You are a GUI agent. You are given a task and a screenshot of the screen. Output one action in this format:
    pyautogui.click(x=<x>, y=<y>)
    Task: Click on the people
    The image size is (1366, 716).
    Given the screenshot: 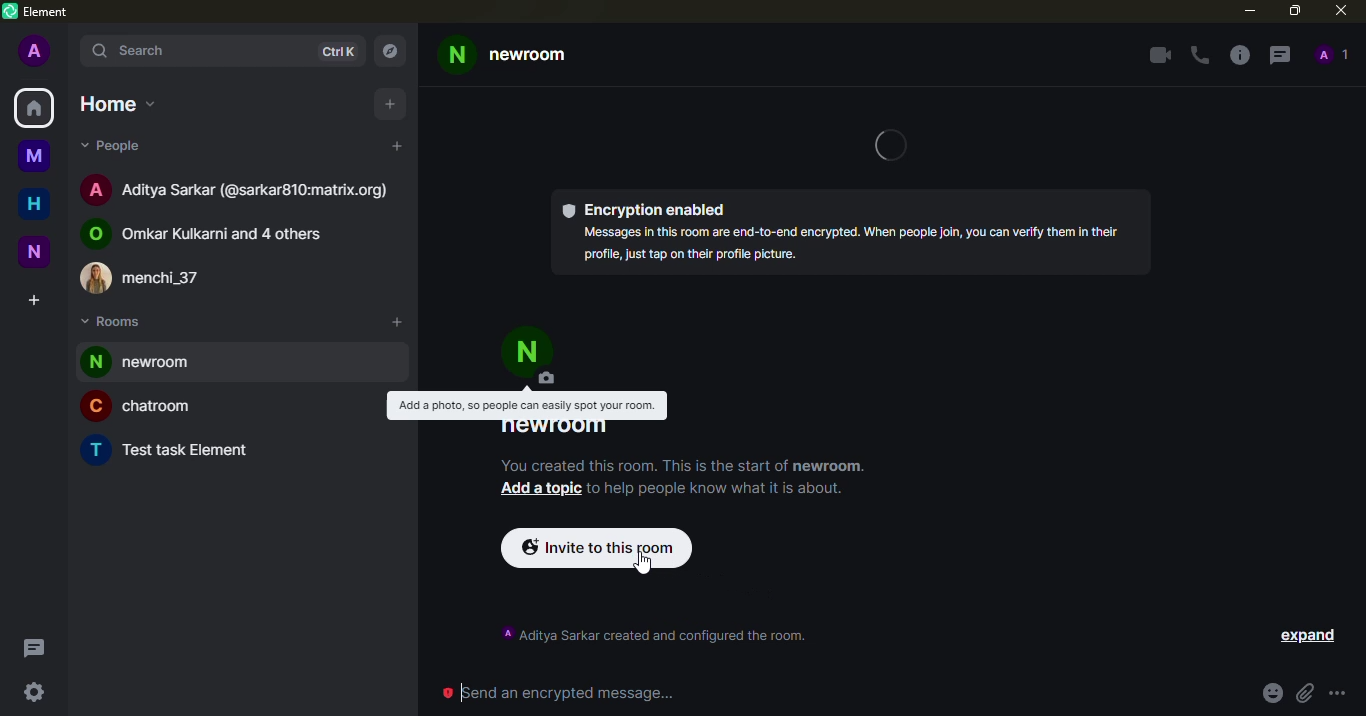 What is the action you would take?
    pyautogui.click(x=119, y=146)
    